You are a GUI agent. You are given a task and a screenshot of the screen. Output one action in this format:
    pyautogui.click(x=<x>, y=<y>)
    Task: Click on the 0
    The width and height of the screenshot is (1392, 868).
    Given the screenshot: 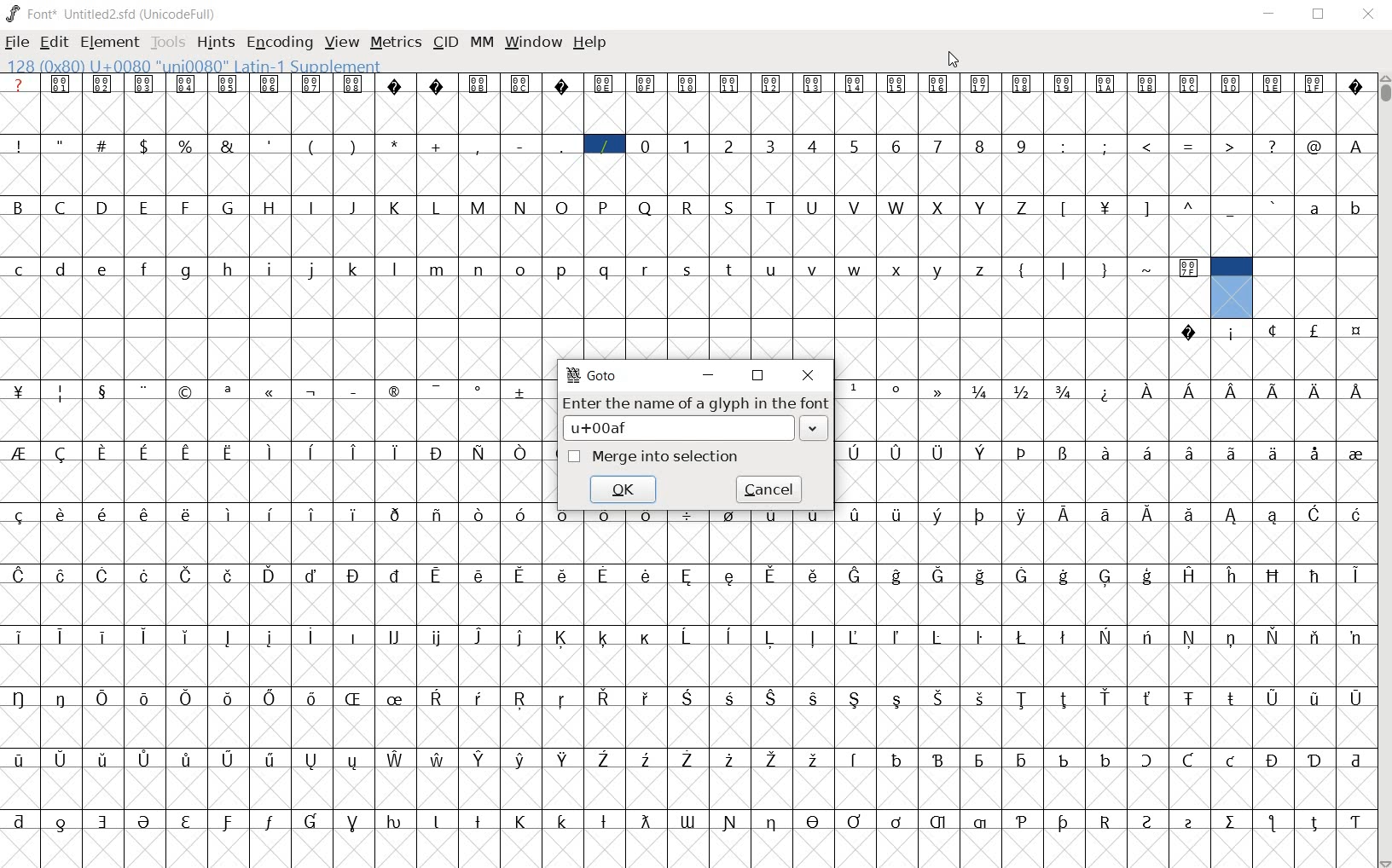 What is the action you would take?
    pyautogui.click(x=647, y=144)
    